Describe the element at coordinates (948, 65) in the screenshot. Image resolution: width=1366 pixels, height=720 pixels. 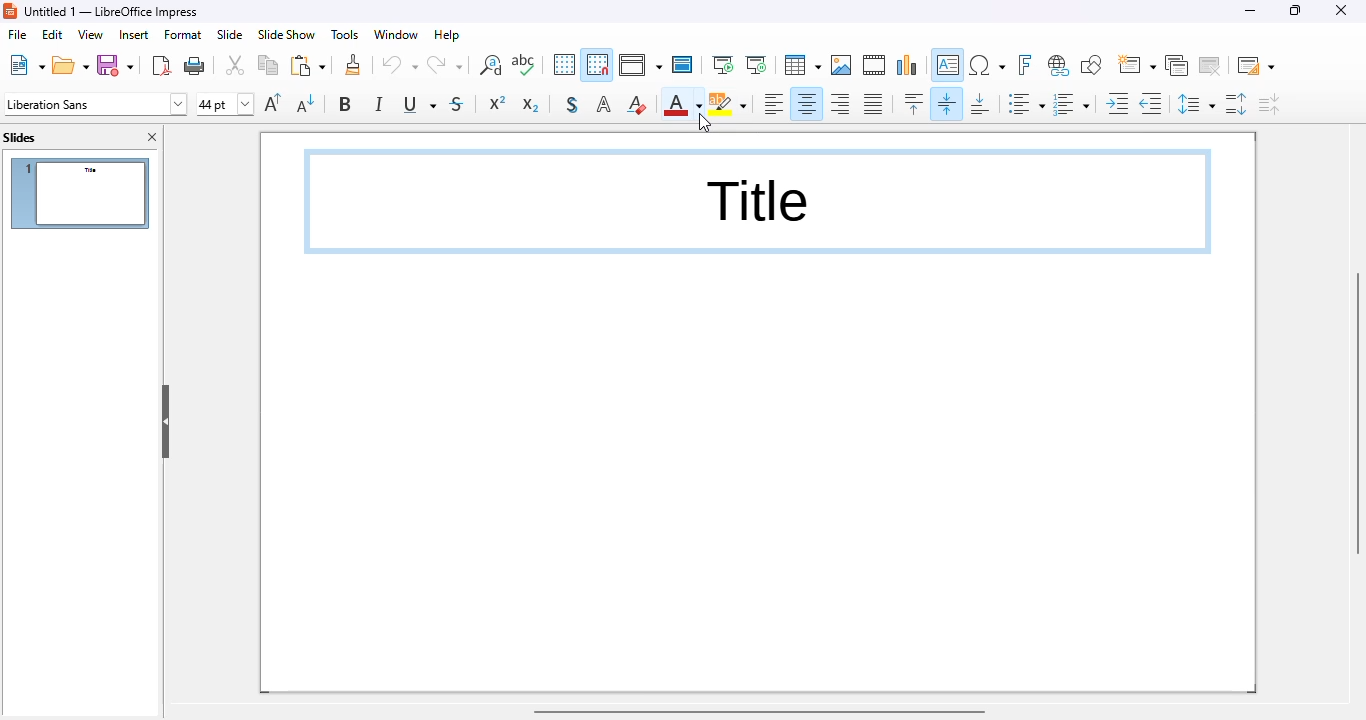
I see `insert text box` at that location.